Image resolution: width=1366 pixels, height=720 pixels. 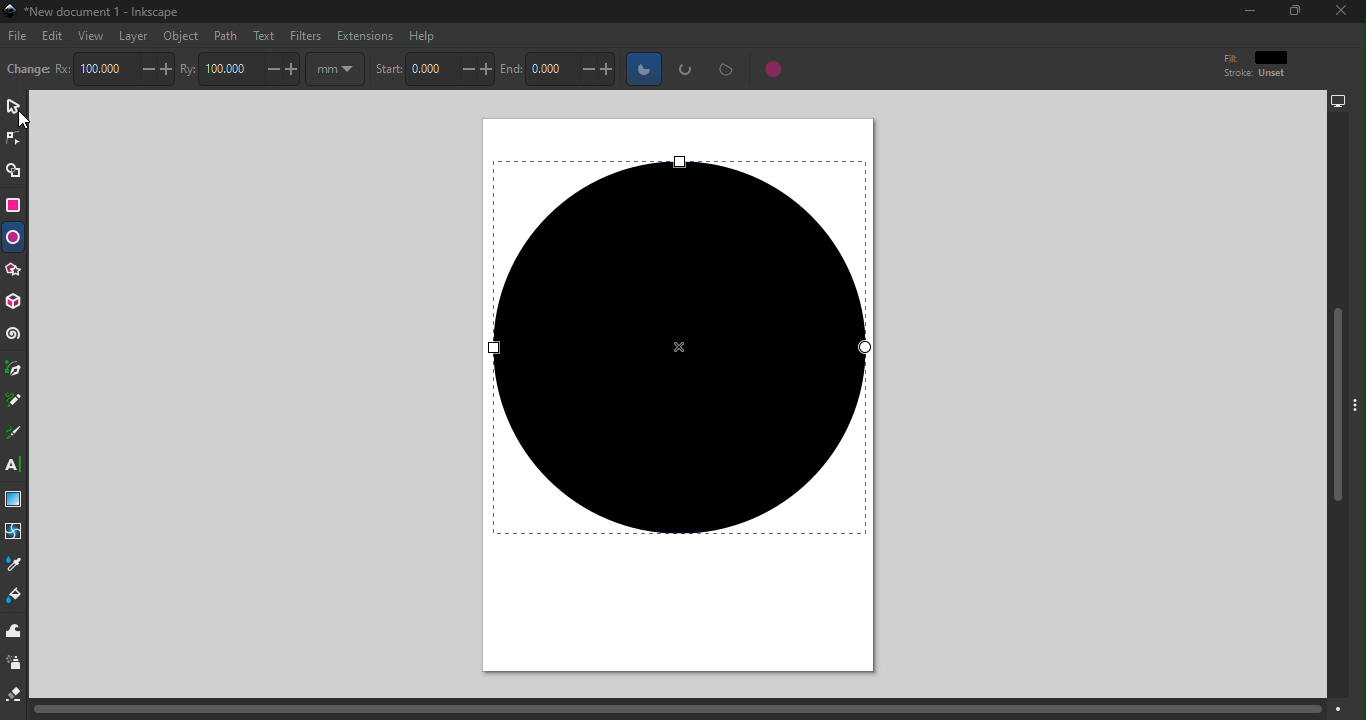 I want to click on eraser tool, so click(x=15, y=696).